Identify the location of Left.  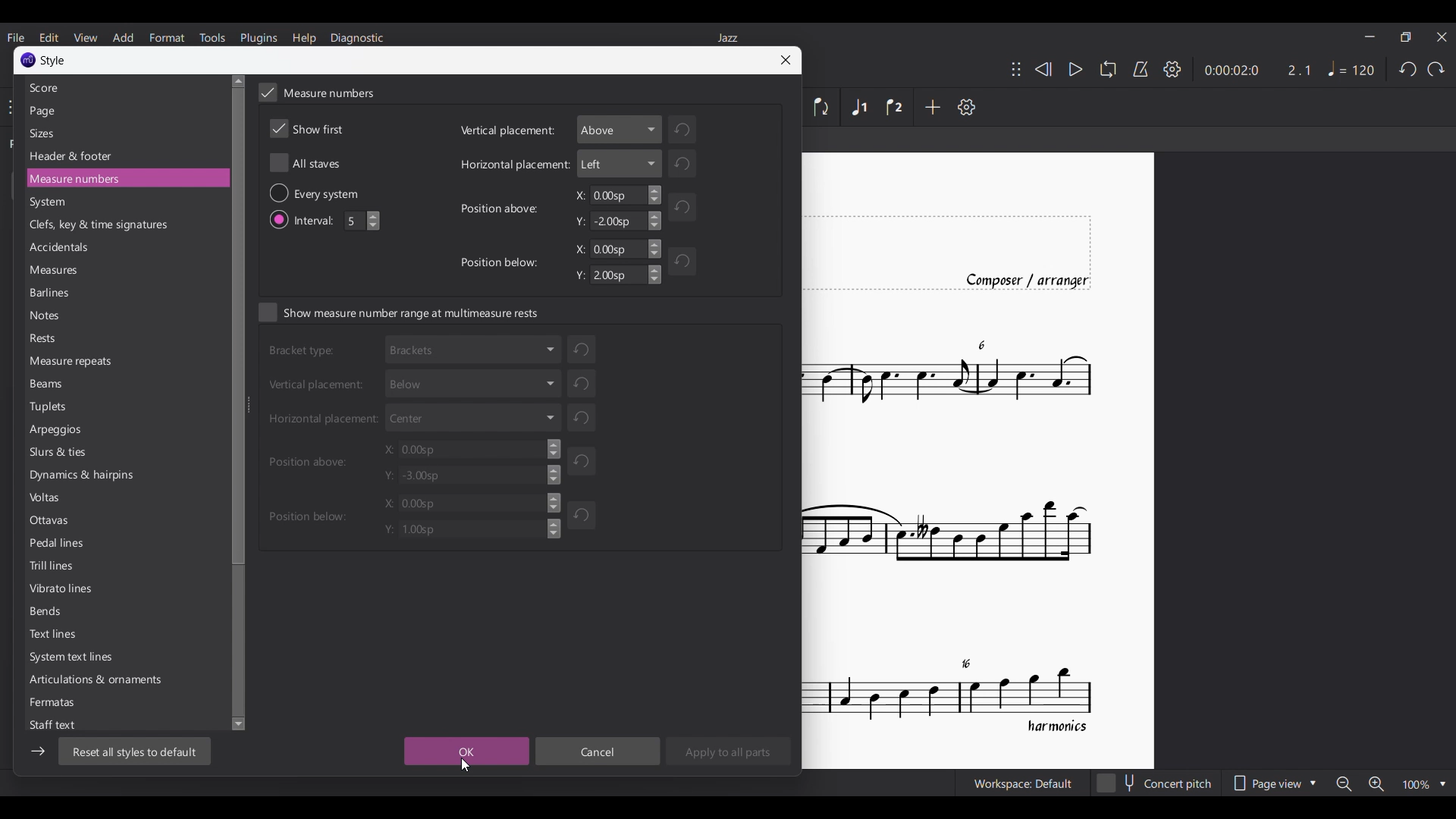
(619, 164).